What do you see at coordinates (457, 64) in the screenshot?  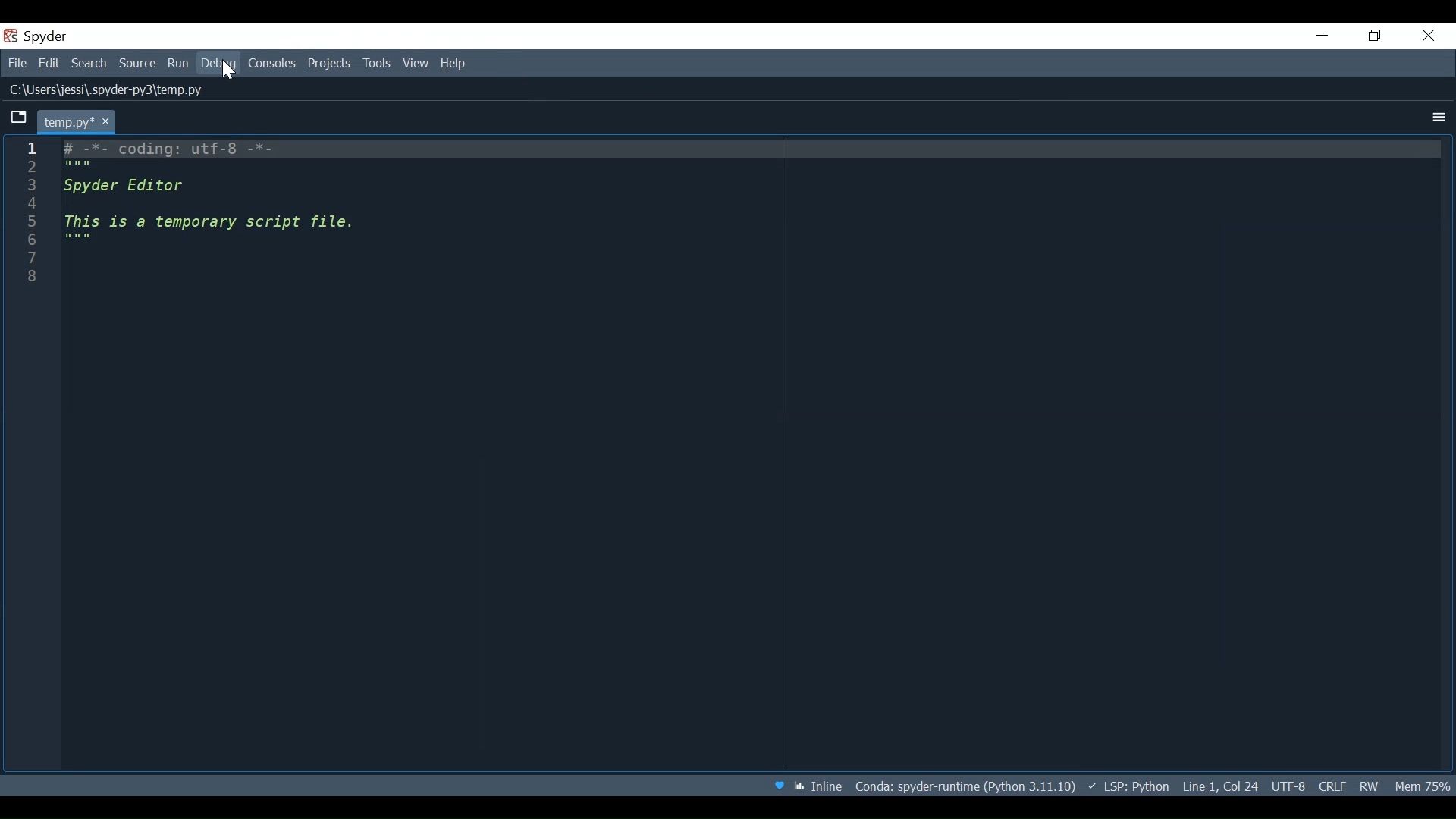 I see `Help` at bounding box center [457, 64].